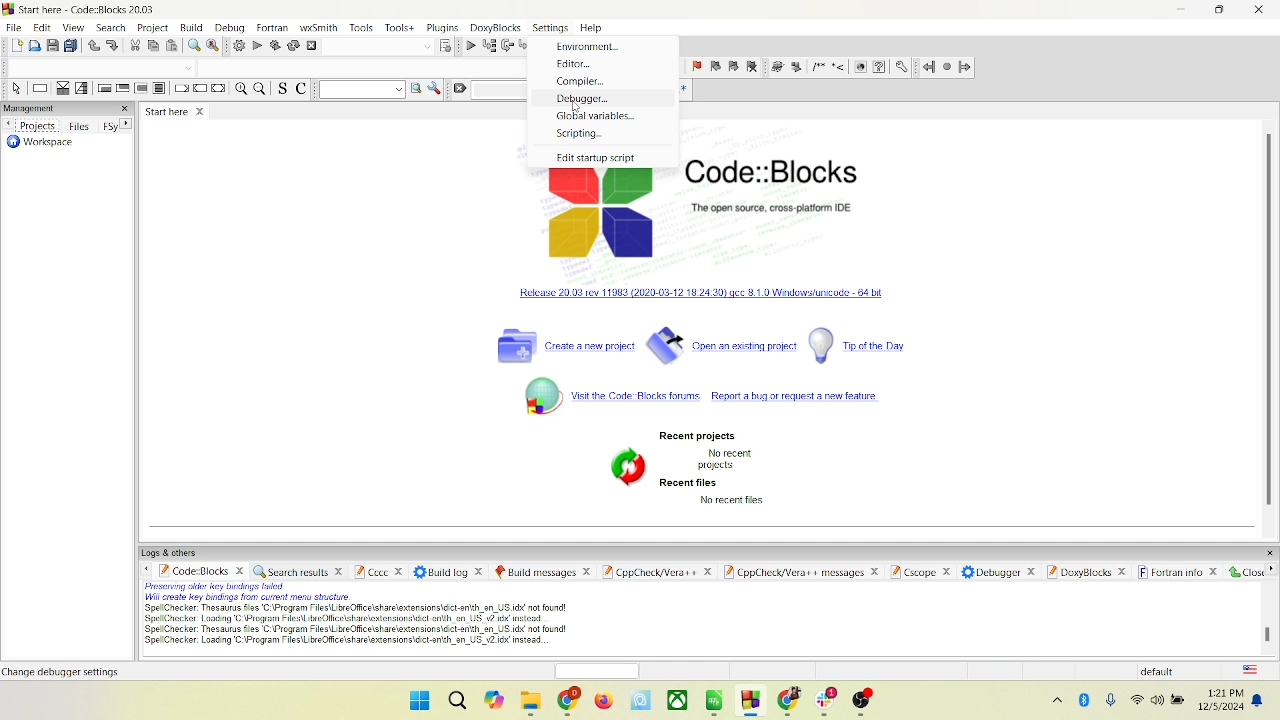 The width and height of the screenshot is (1280, 720). What do you see at coordinates (715, 67) in the screenshot?
I see `prev bookmark` at bounding box center [715, 67].